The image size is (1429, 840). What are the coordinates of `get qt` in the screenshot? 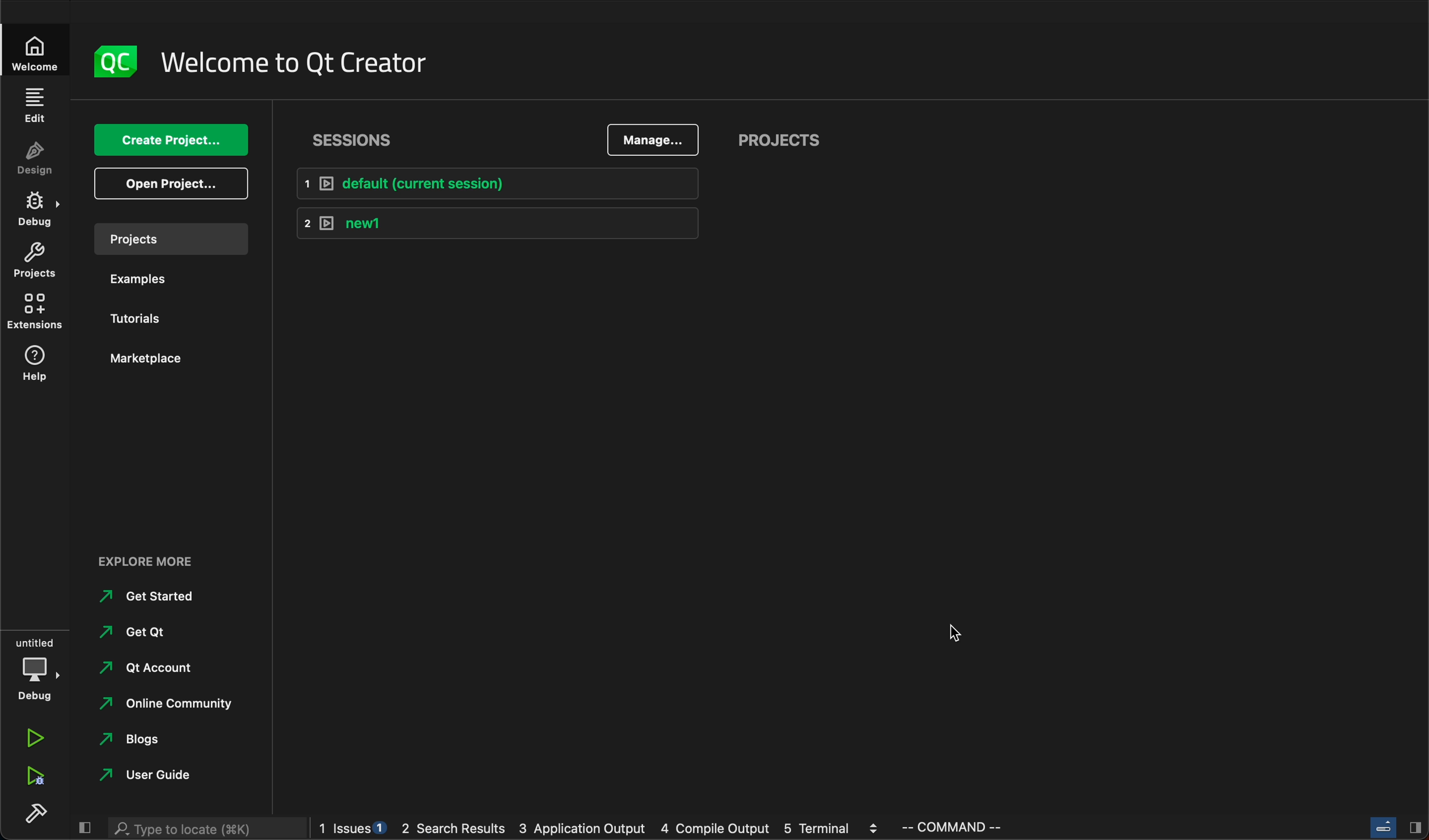 It's located at (150, 633).